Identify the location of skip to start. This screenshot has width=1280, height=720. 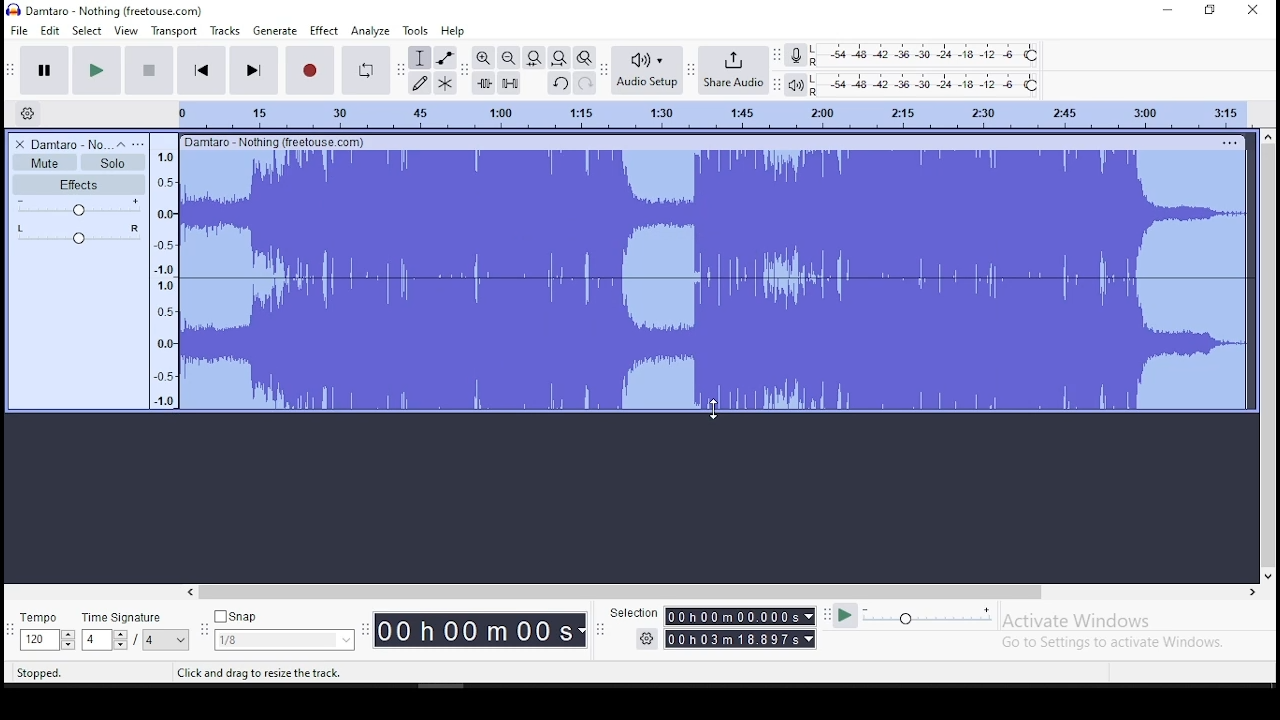
(202, 69).